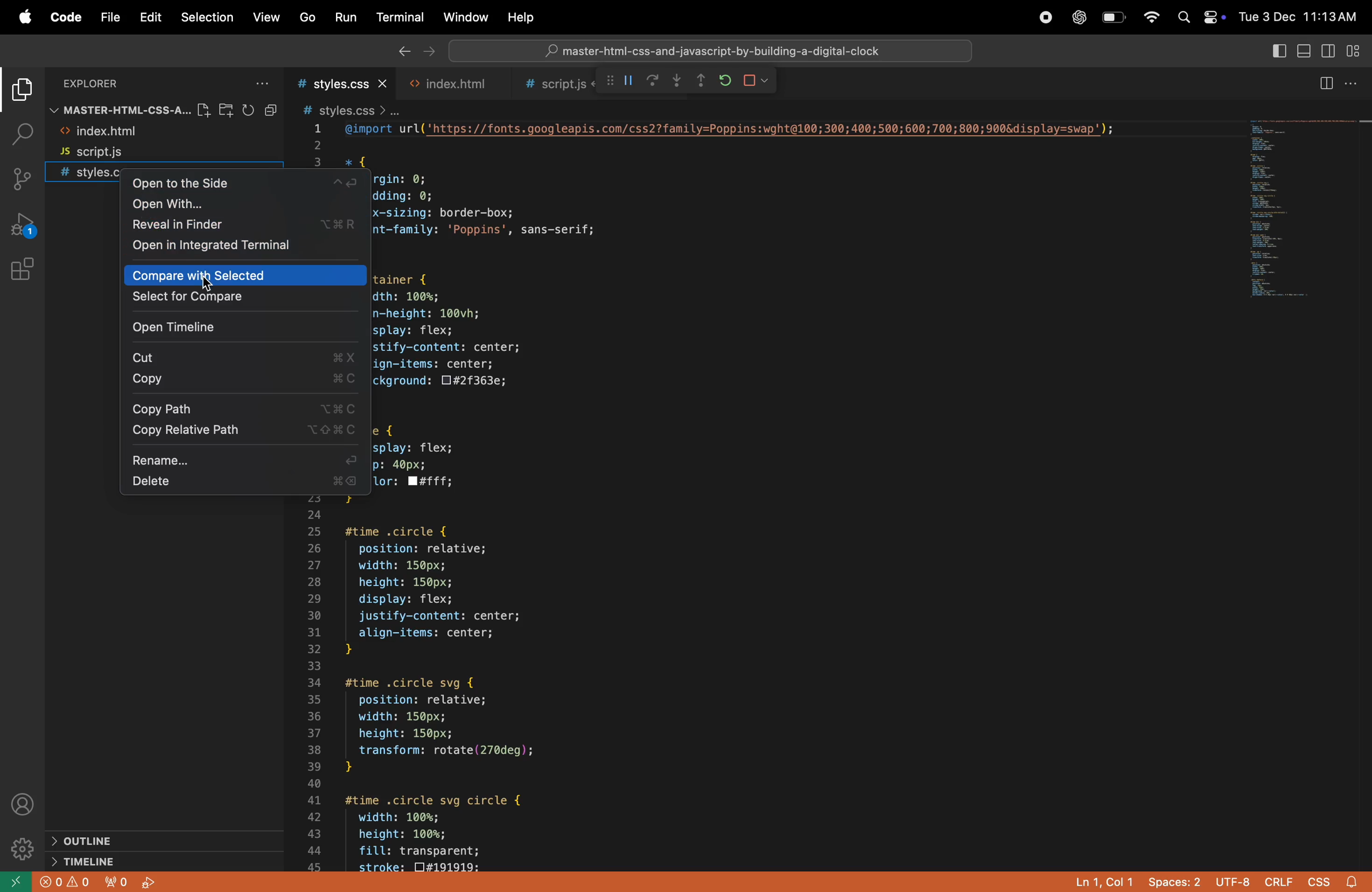  Describe the element at coordinates (1356, 879) in the screenshot. I see `alert` at that location.